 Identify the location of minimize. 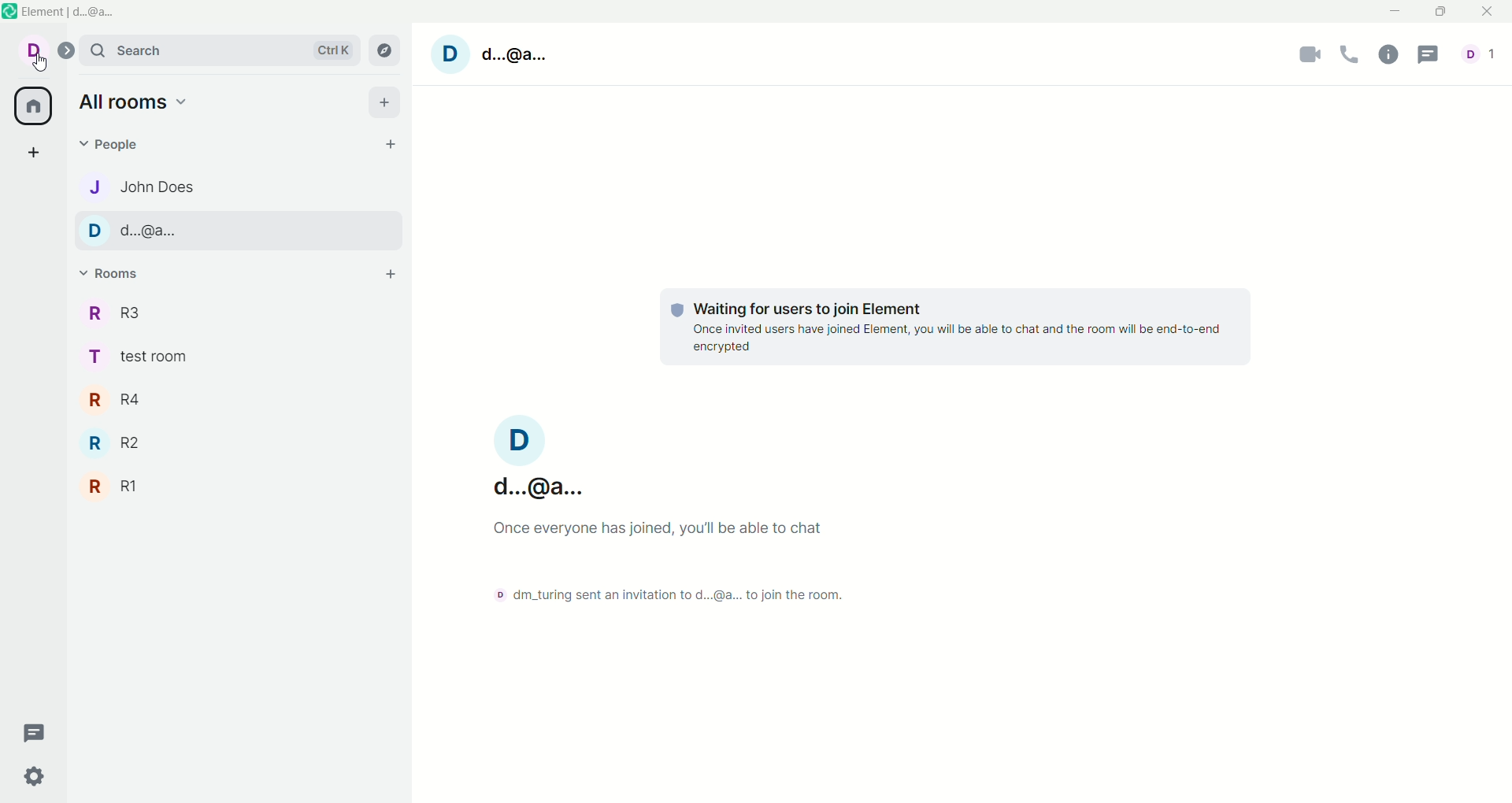
(1396, 13).